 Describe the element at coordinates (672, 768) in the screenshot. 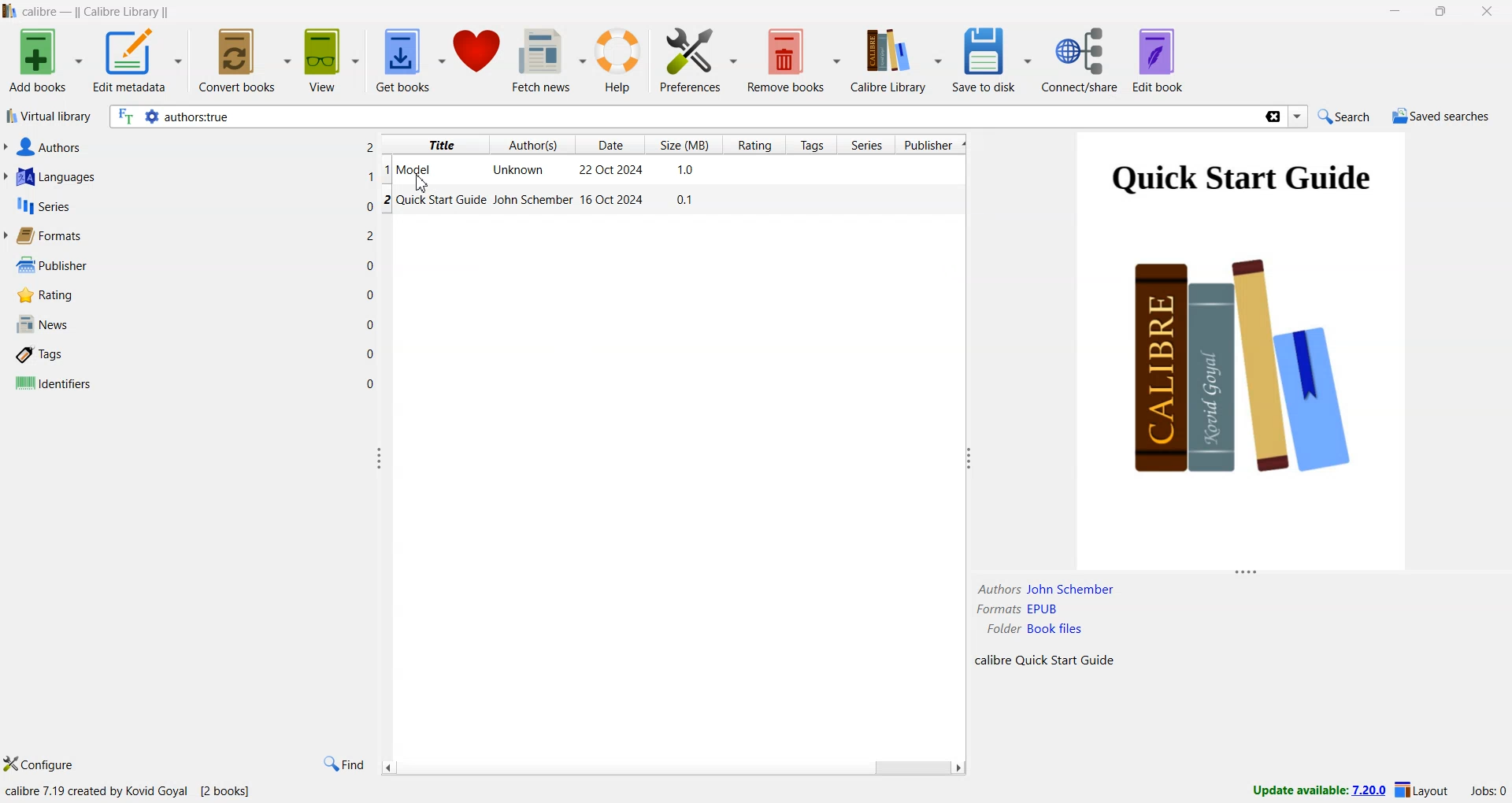

I see `Scroll` at that location.